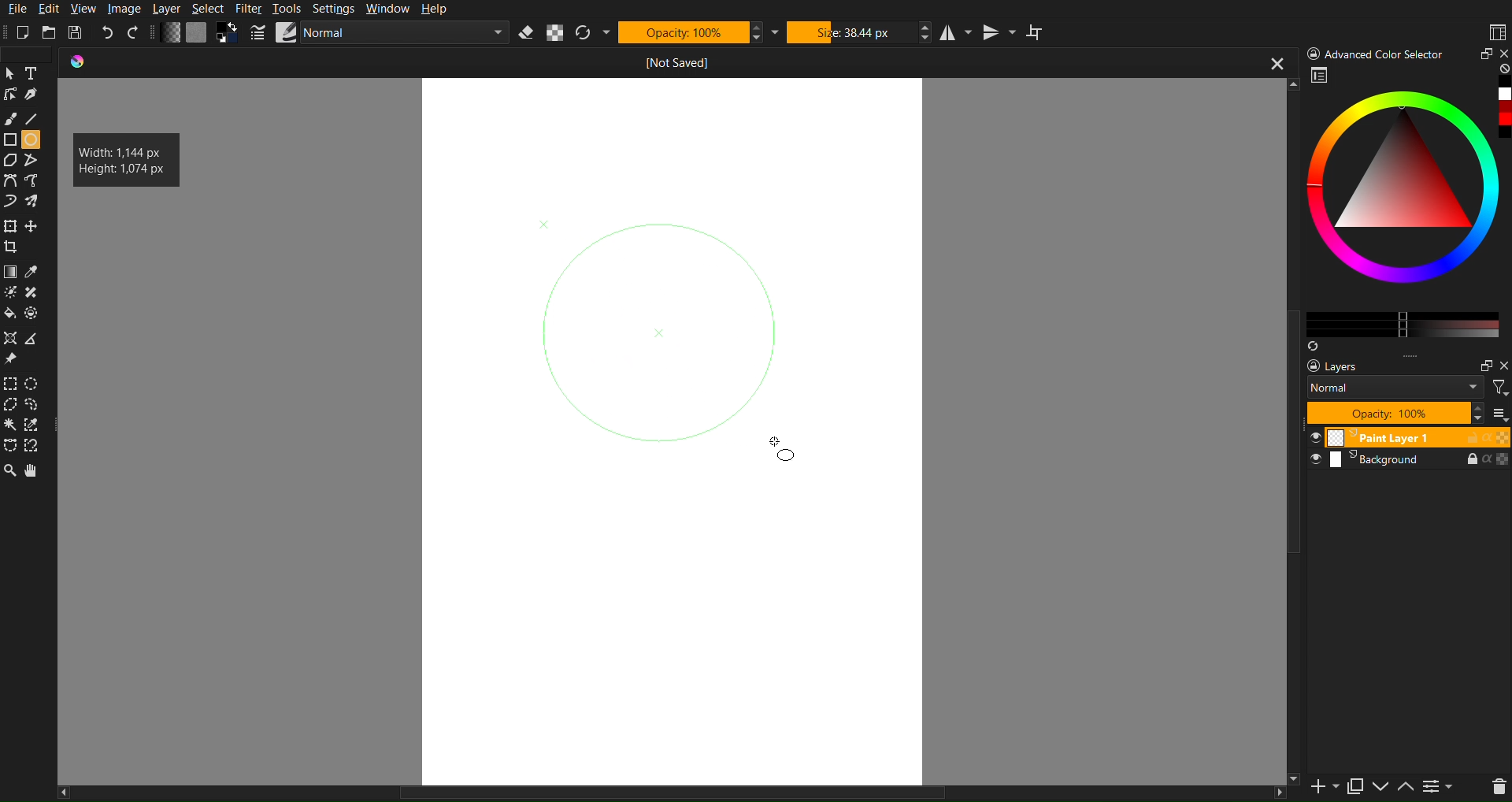  What do you see at coordinates (290, 7) in the screenshot?
I see `Tools` at bounding box center [290, 7].